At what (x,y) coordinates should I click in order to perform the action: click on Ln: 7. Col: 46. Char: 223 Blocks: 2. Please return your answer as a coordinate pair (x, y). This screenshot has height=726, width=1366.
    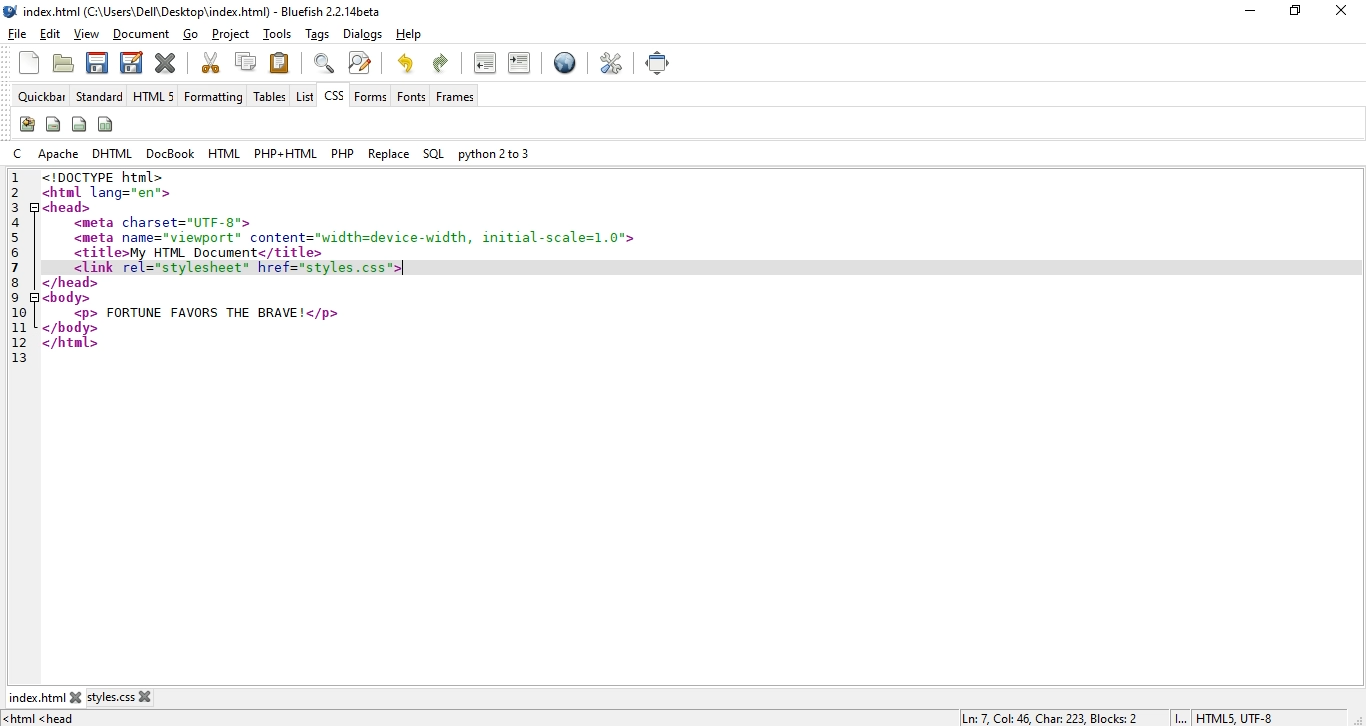
    Looking at the image, I should click on (1050, 717).